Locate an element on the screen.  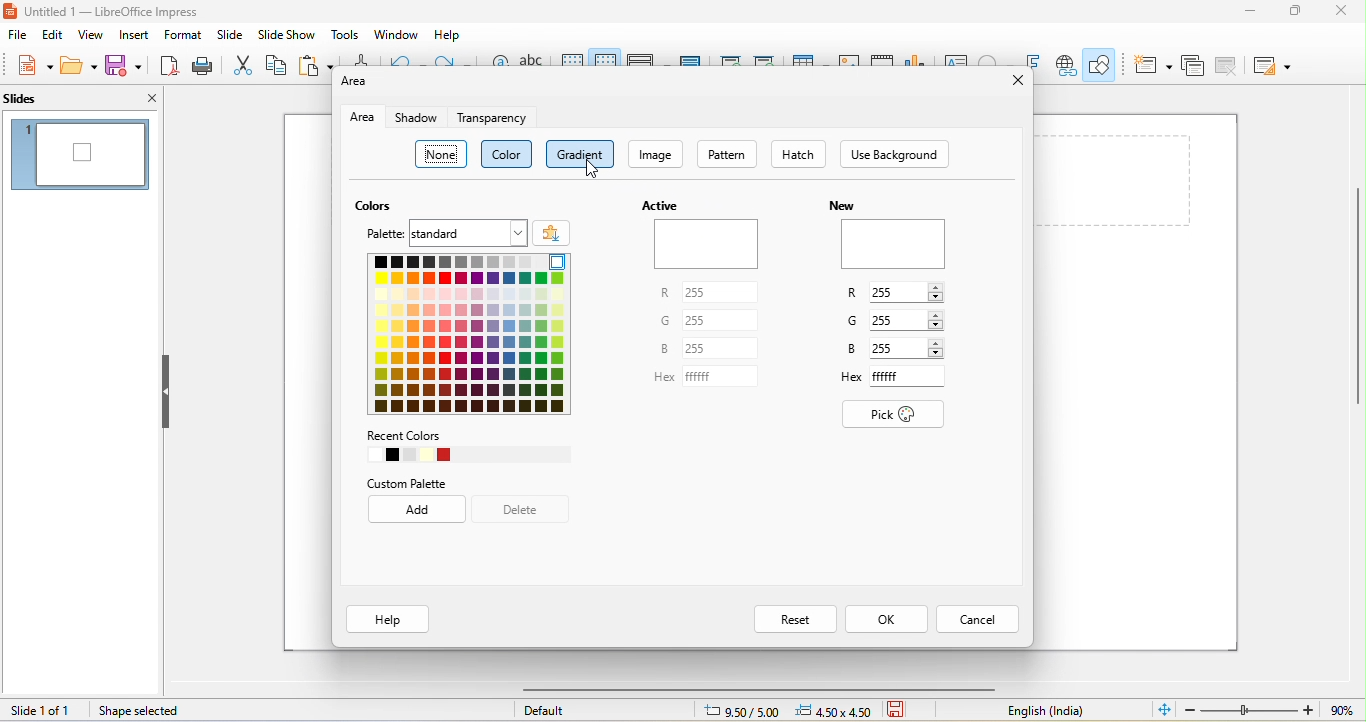
insert is located at coordinates (133, 35).